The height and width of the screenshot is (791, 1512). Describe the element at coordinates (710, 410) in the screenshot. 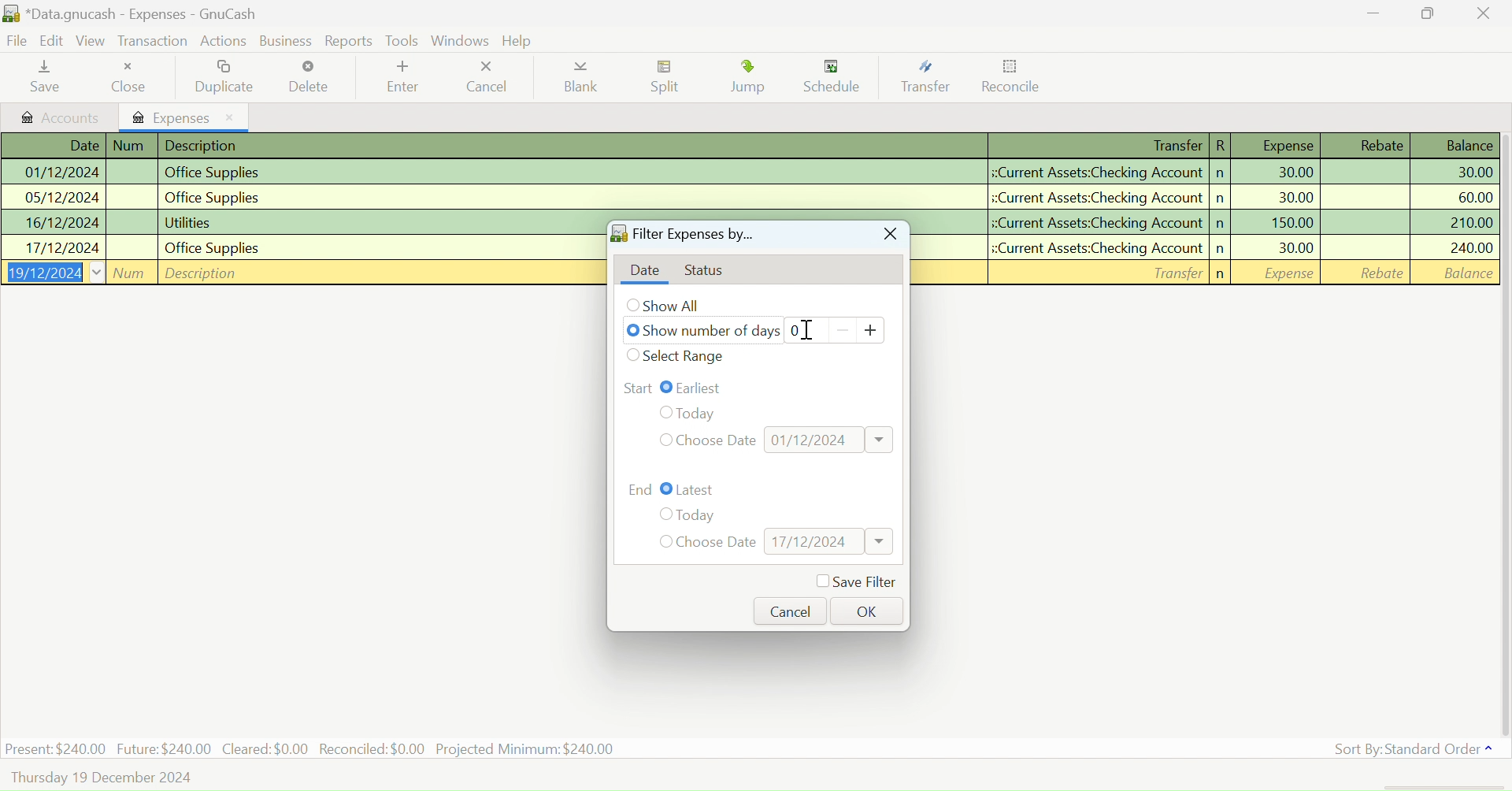

I see `Today` at that location.